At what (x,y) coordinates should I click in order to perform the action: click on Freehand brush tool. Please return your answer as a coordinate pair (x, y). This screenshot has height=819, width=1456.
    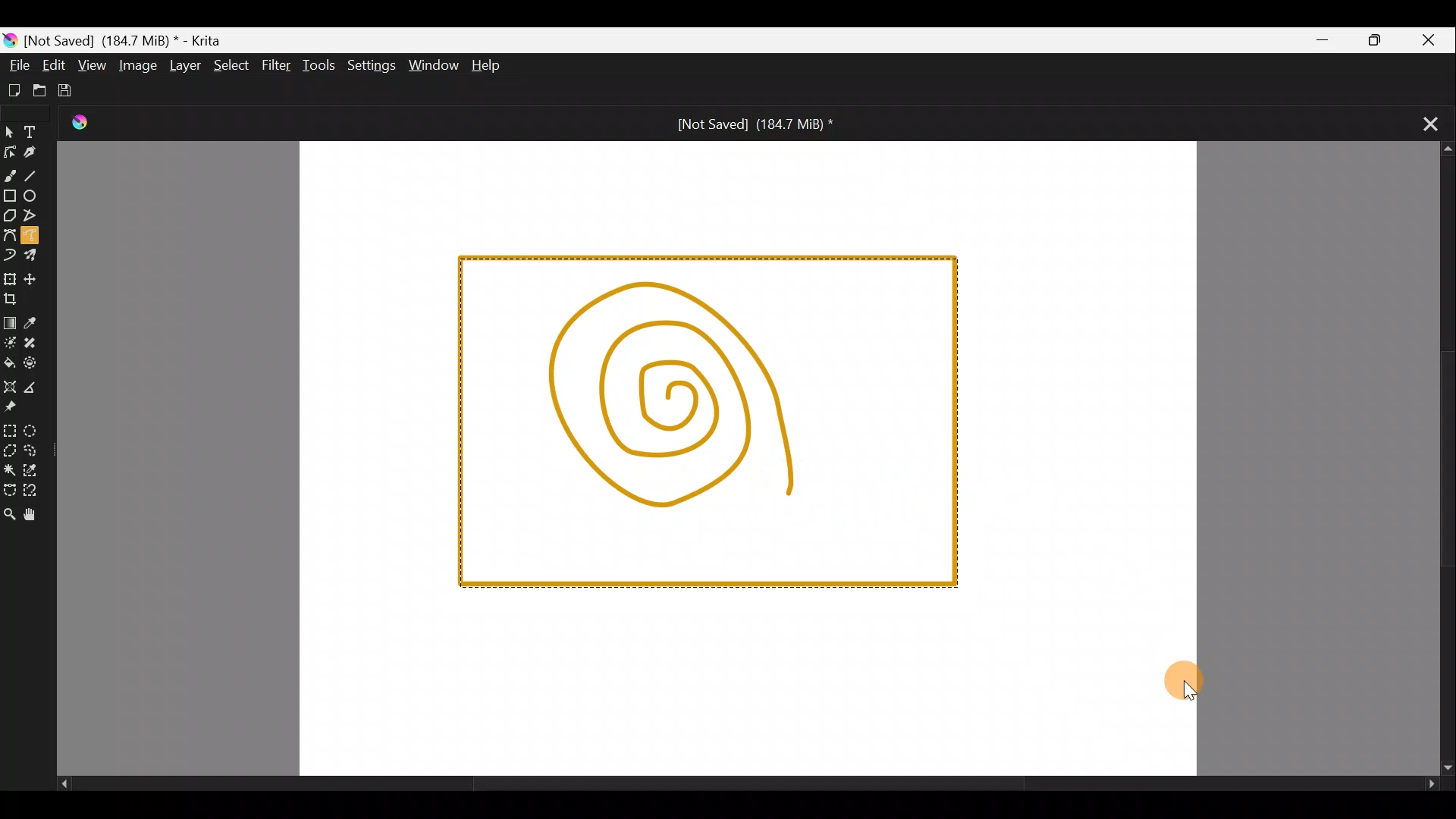
    Looking at the image, I should click on (9, 175).